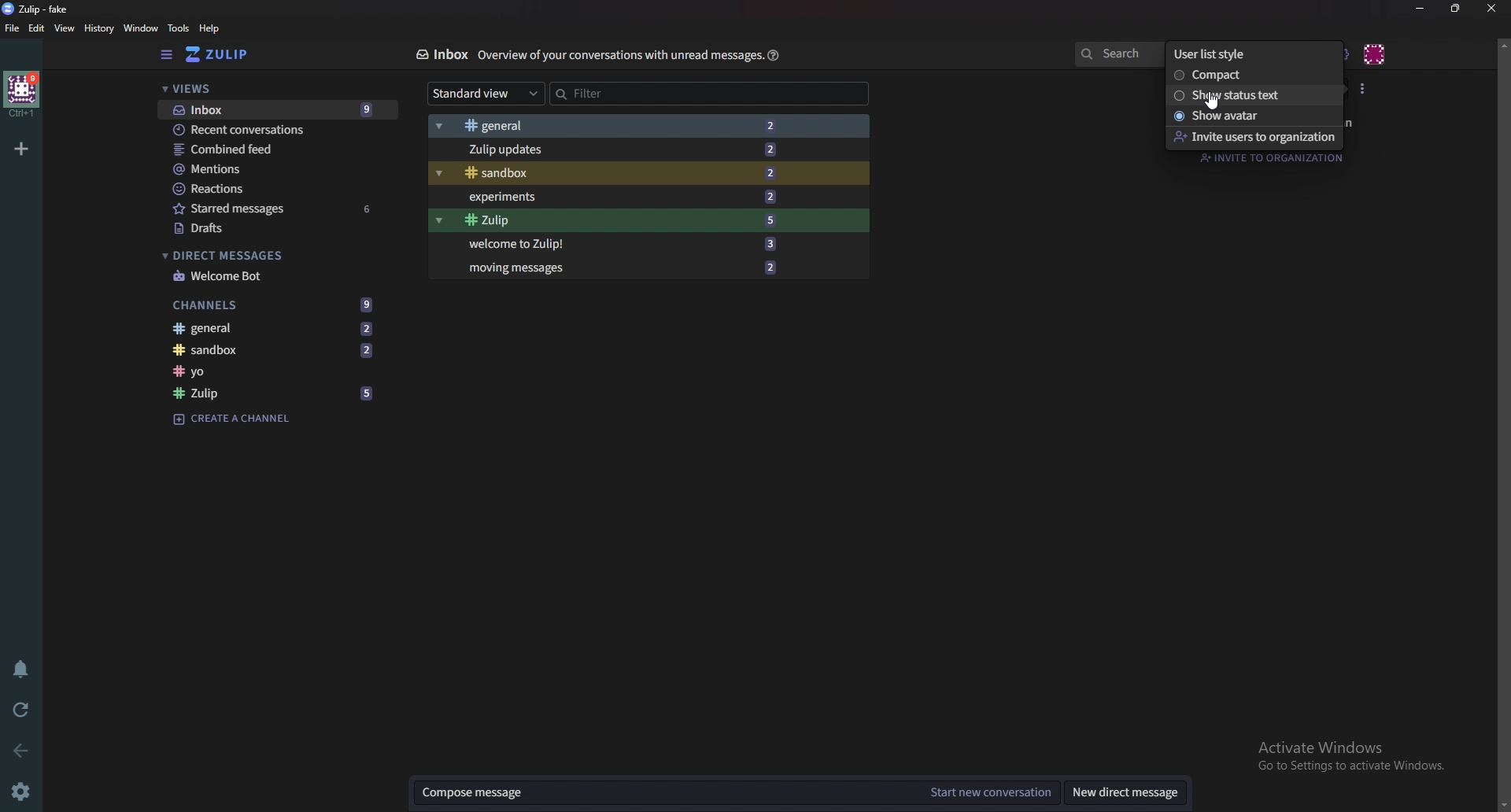 This screenshot has width=1511, height=812. I want to click on Tools, so click(178, 28).